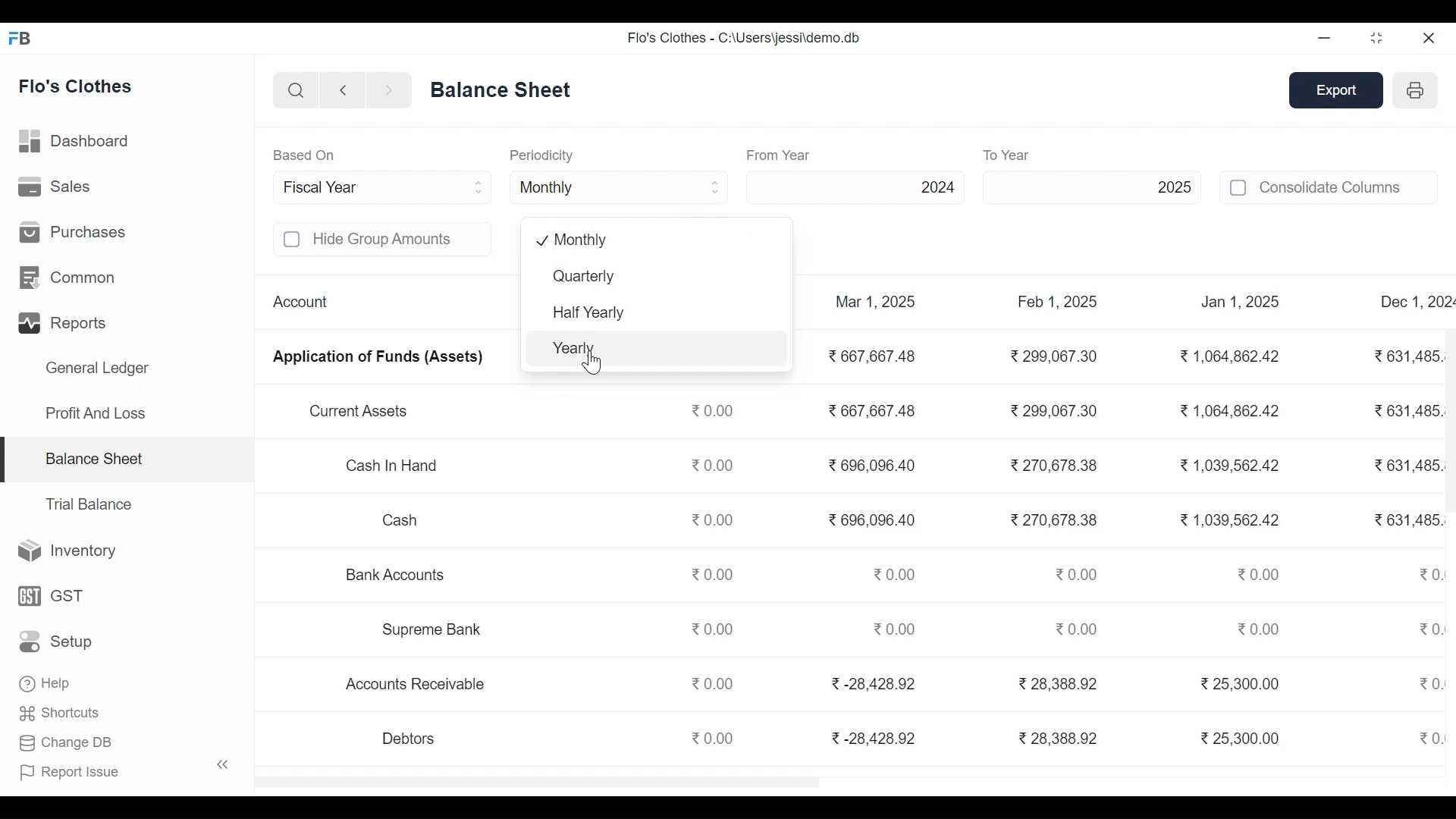 The image size is (1456, 819). I want to click on sales, so click(57, 187).